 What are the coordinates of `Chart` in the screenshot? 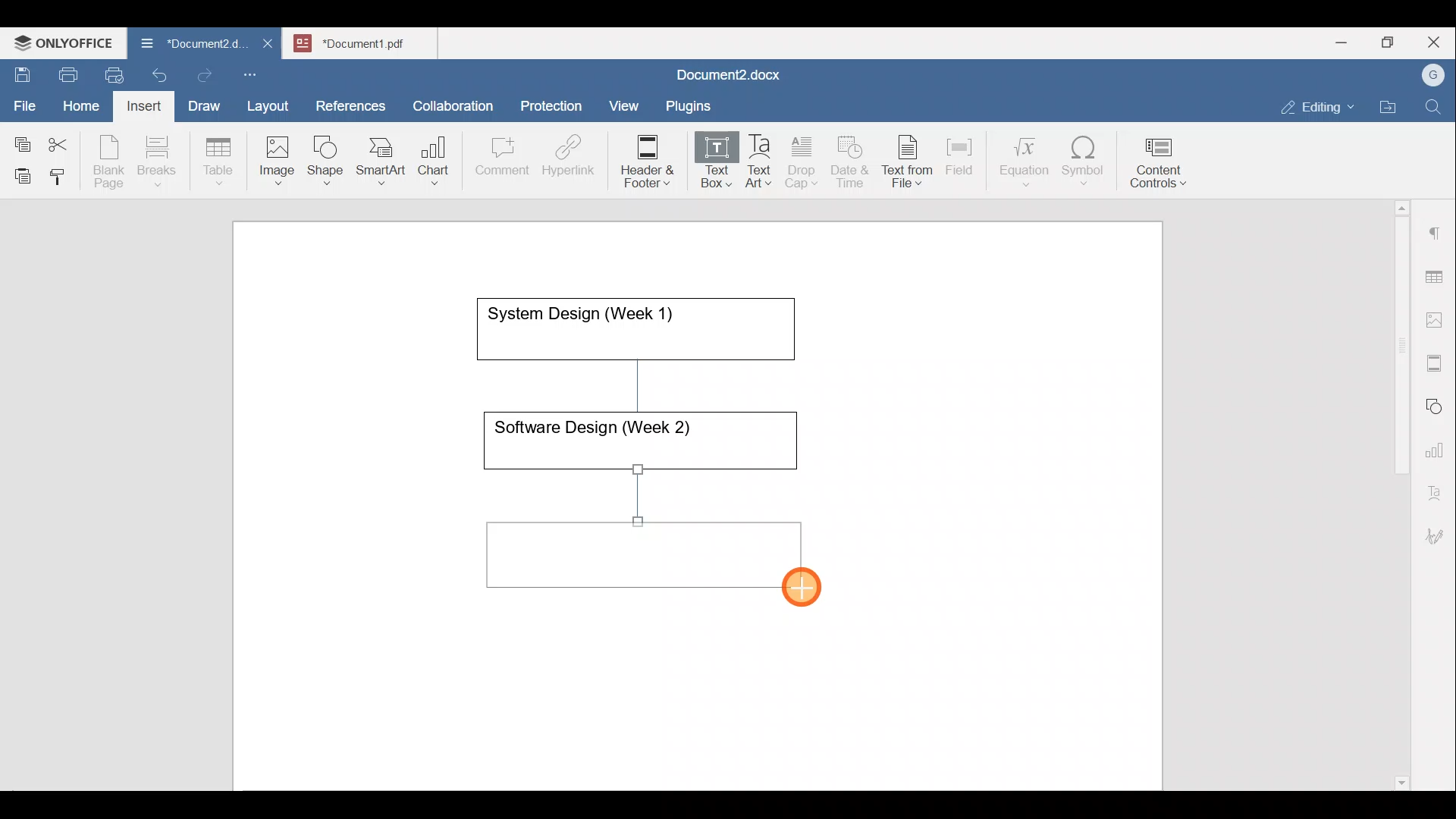 It's located at (431, 162).